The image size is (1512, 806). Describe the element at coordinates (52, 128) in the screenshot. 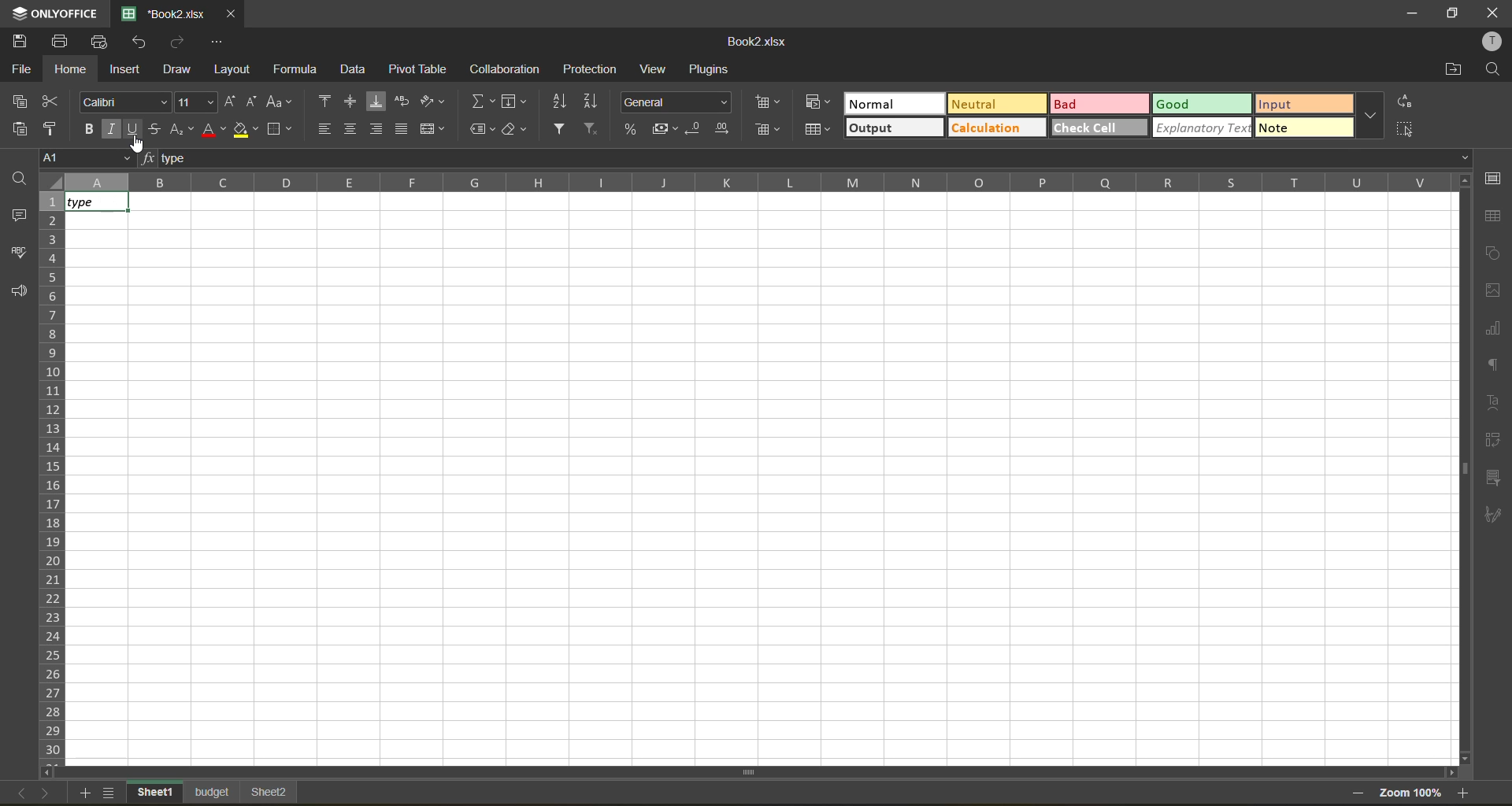

I see `copy style` at that location.